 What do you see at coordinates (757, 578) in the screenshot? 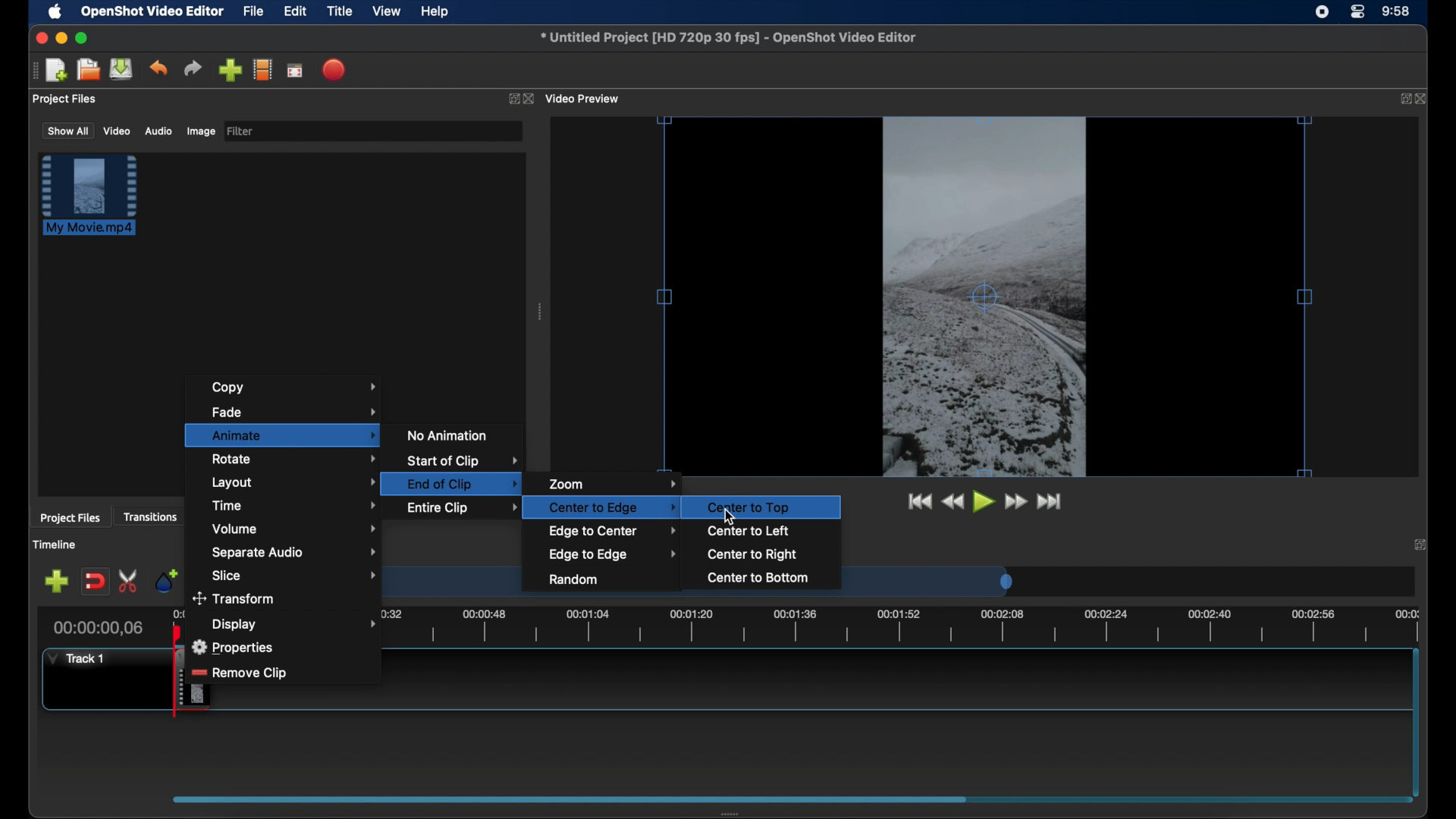
I see `center to bottom` at bounding box center [757, 578].